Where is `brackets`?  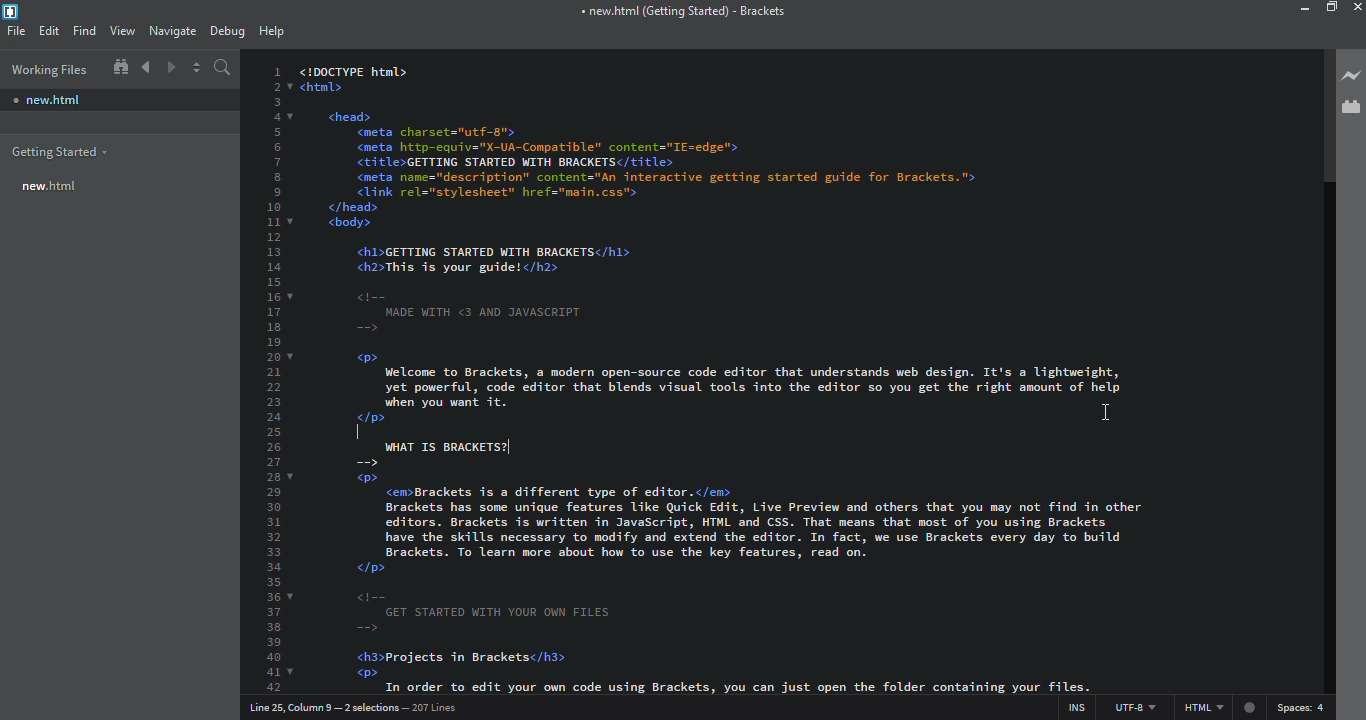
brackets is located at coordinates (11, 12).